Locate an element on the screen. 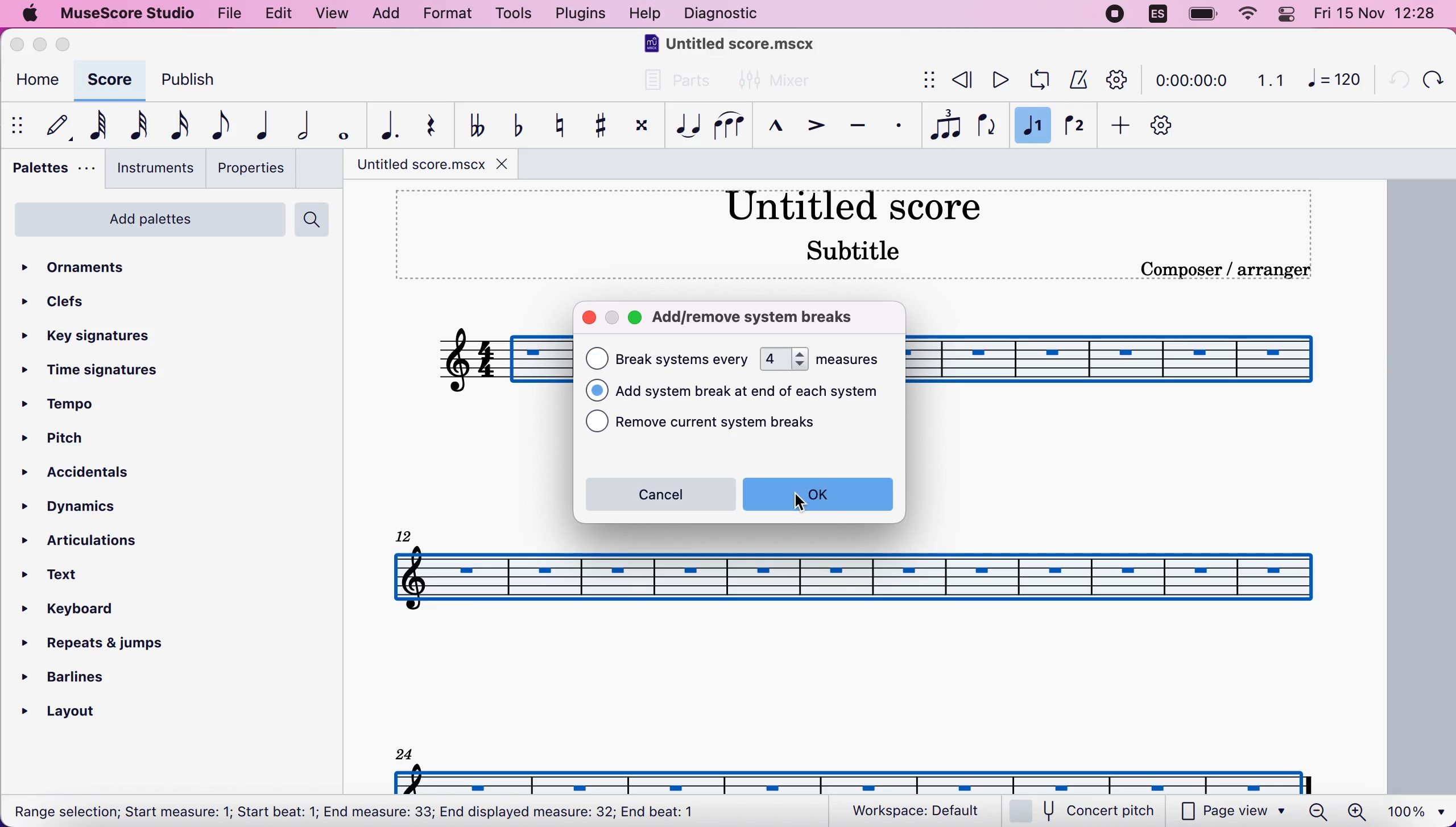 This screenshot has height=827, width=1456. score is located at coordinates (857, 778).